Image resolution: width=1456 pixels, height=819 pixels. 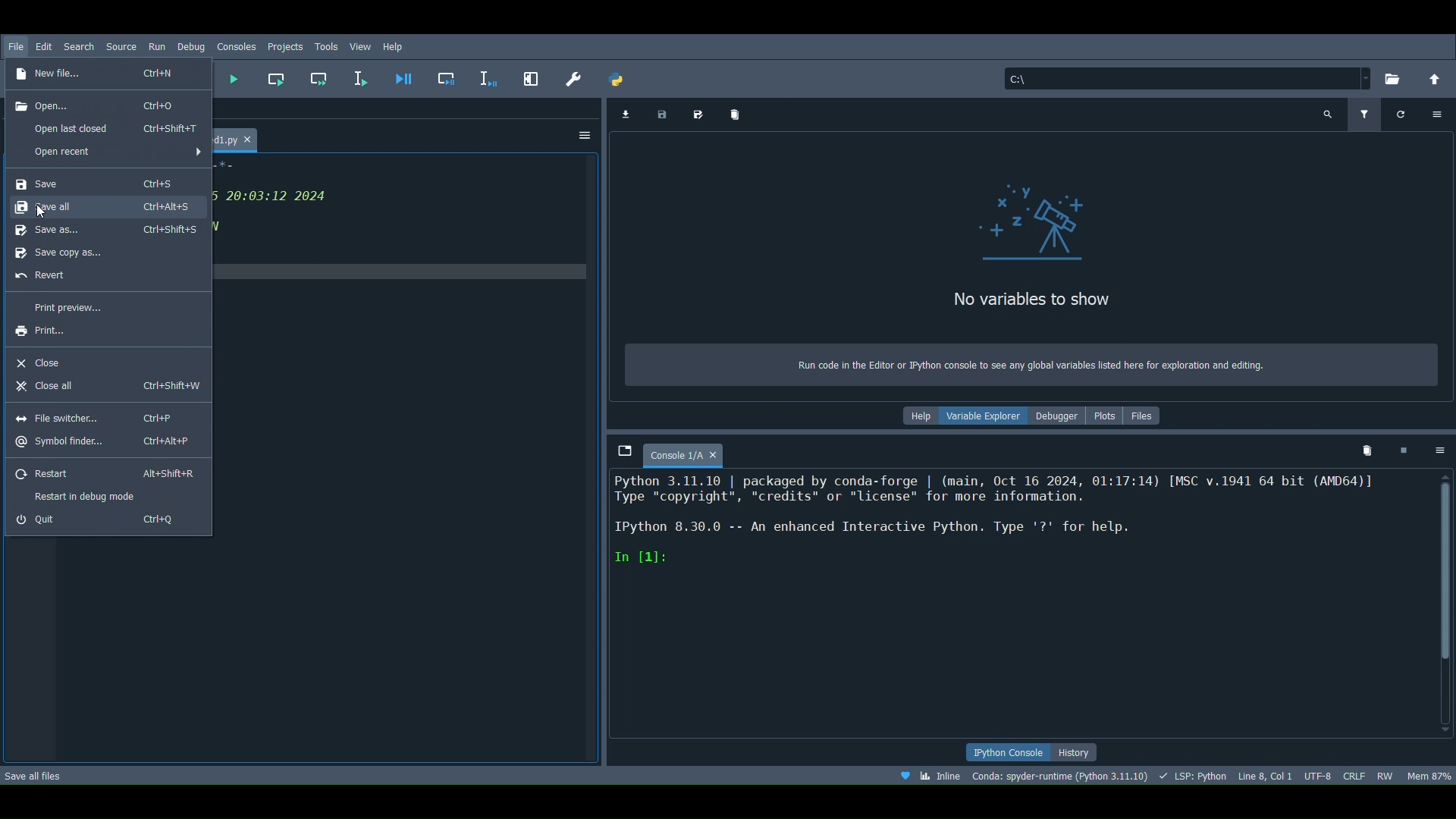 I want to click on Source, so click(x=122, y=46).